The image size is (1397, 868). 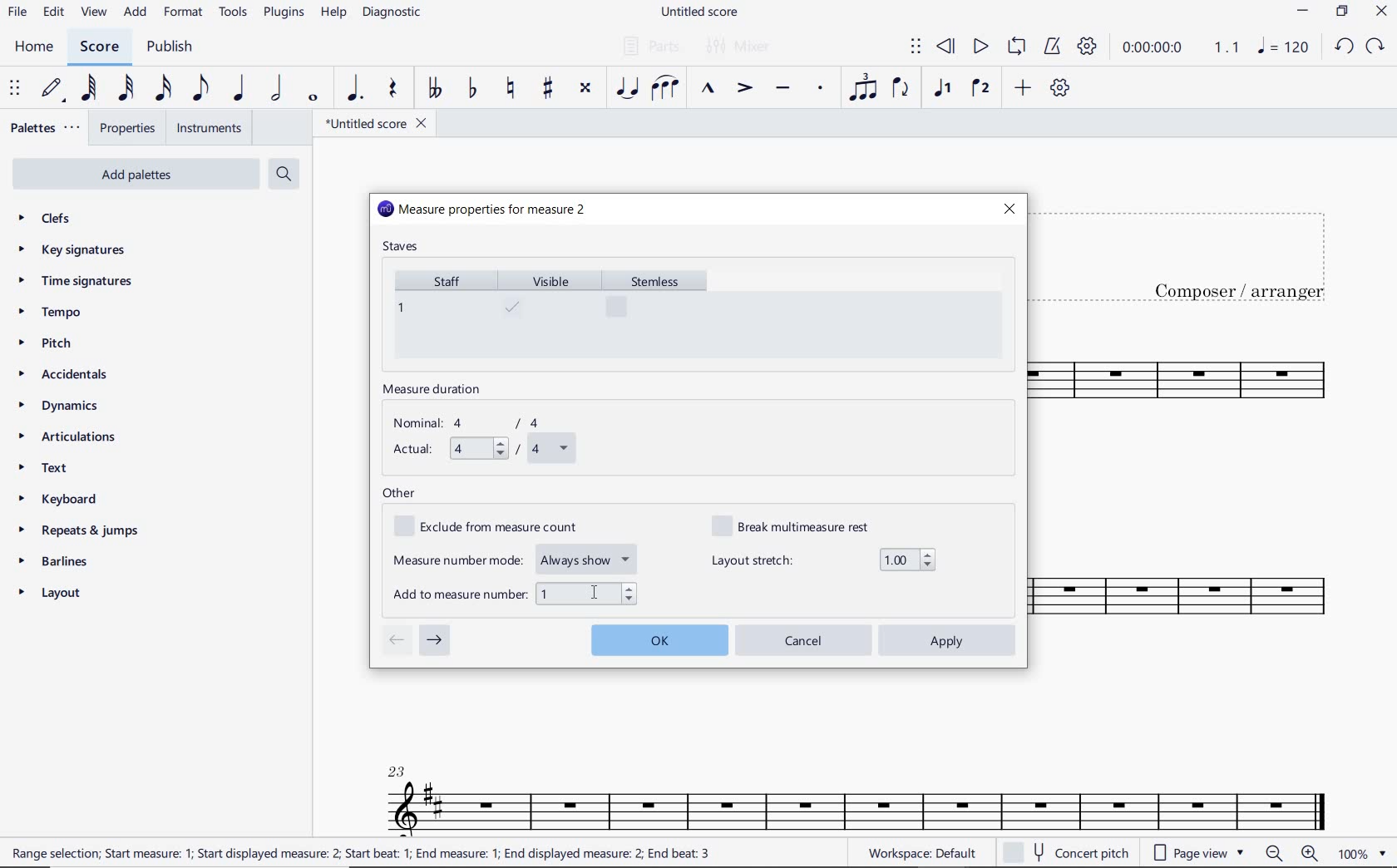 I want to click on zoom factor, so click(x=1362, y=854).